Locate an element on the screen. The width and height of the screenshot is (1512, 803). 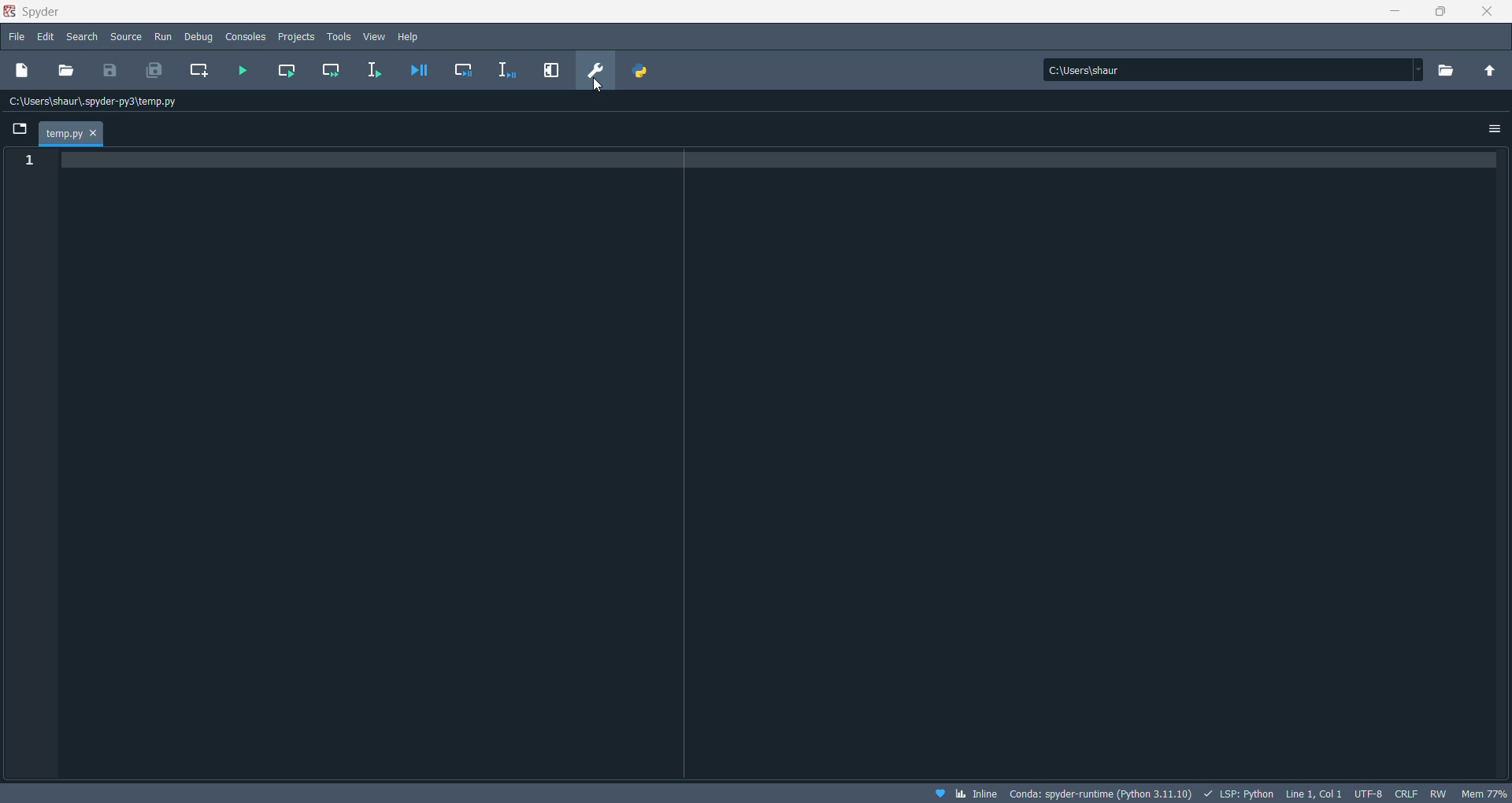
new file is located at coordinates (23, 72).